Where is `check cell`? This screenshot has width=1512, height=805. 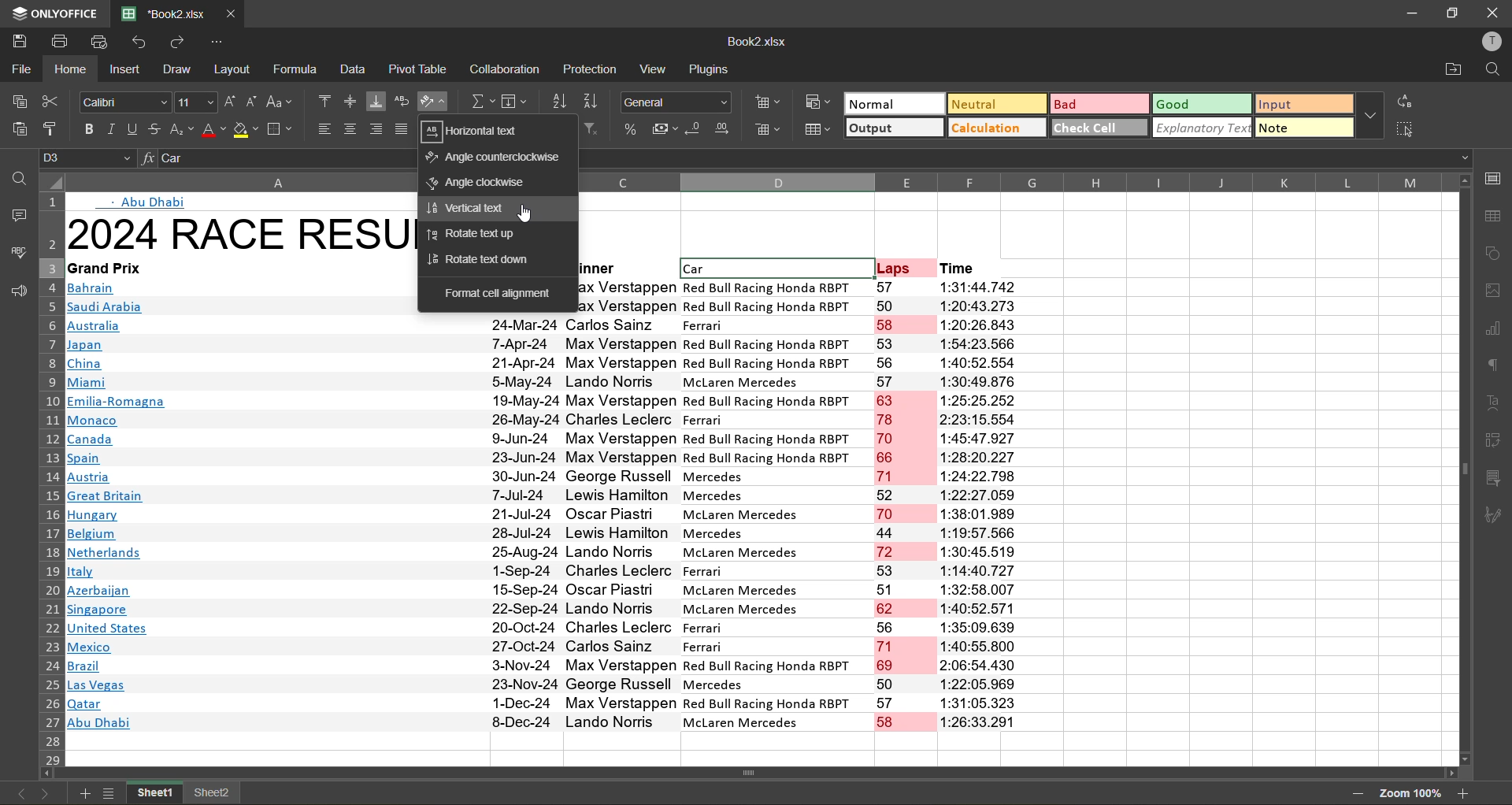
check cell is located at coordinates (1102, 127).